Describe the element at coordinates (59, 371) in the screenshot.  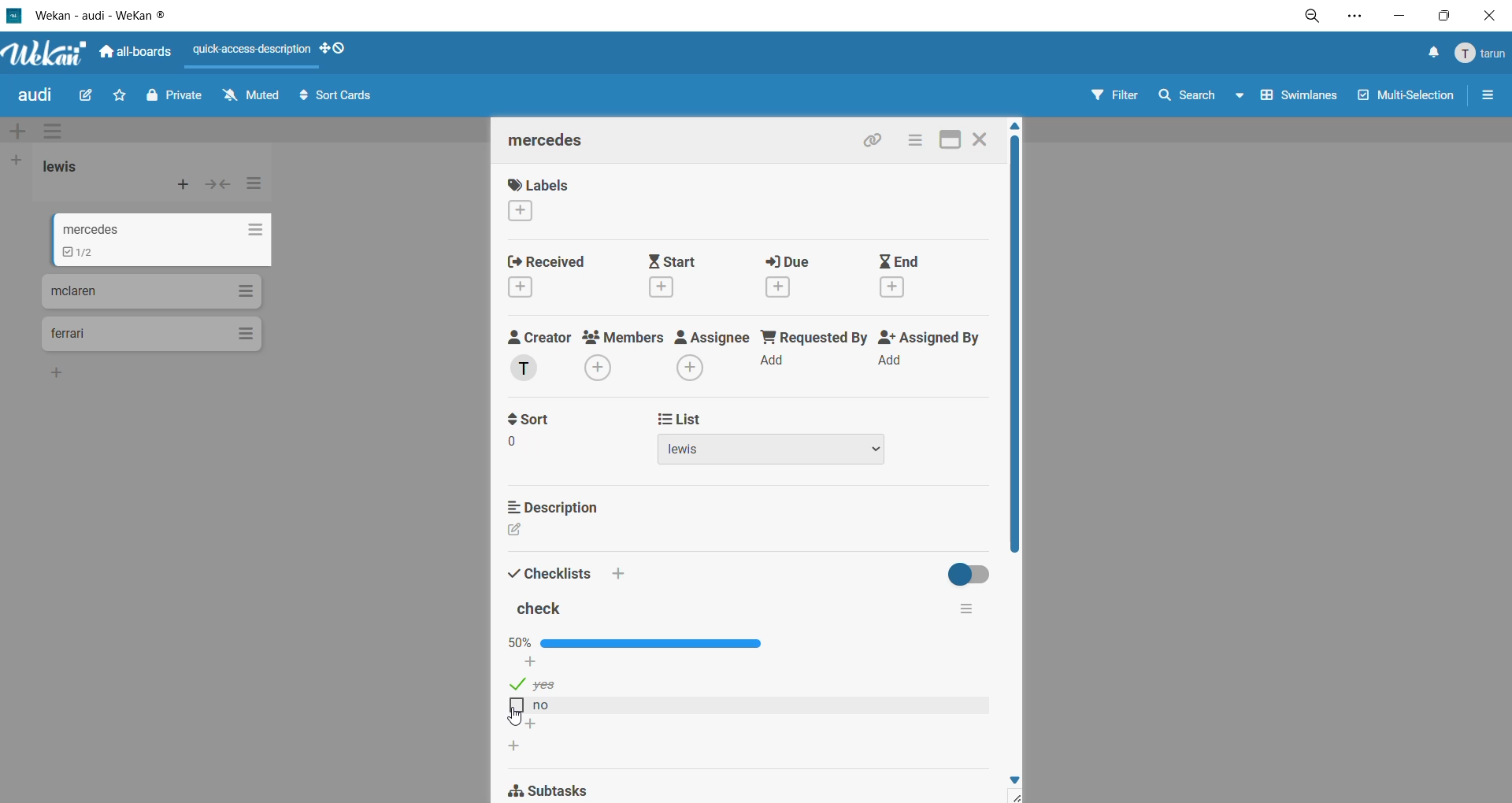
I see `add` at that location.